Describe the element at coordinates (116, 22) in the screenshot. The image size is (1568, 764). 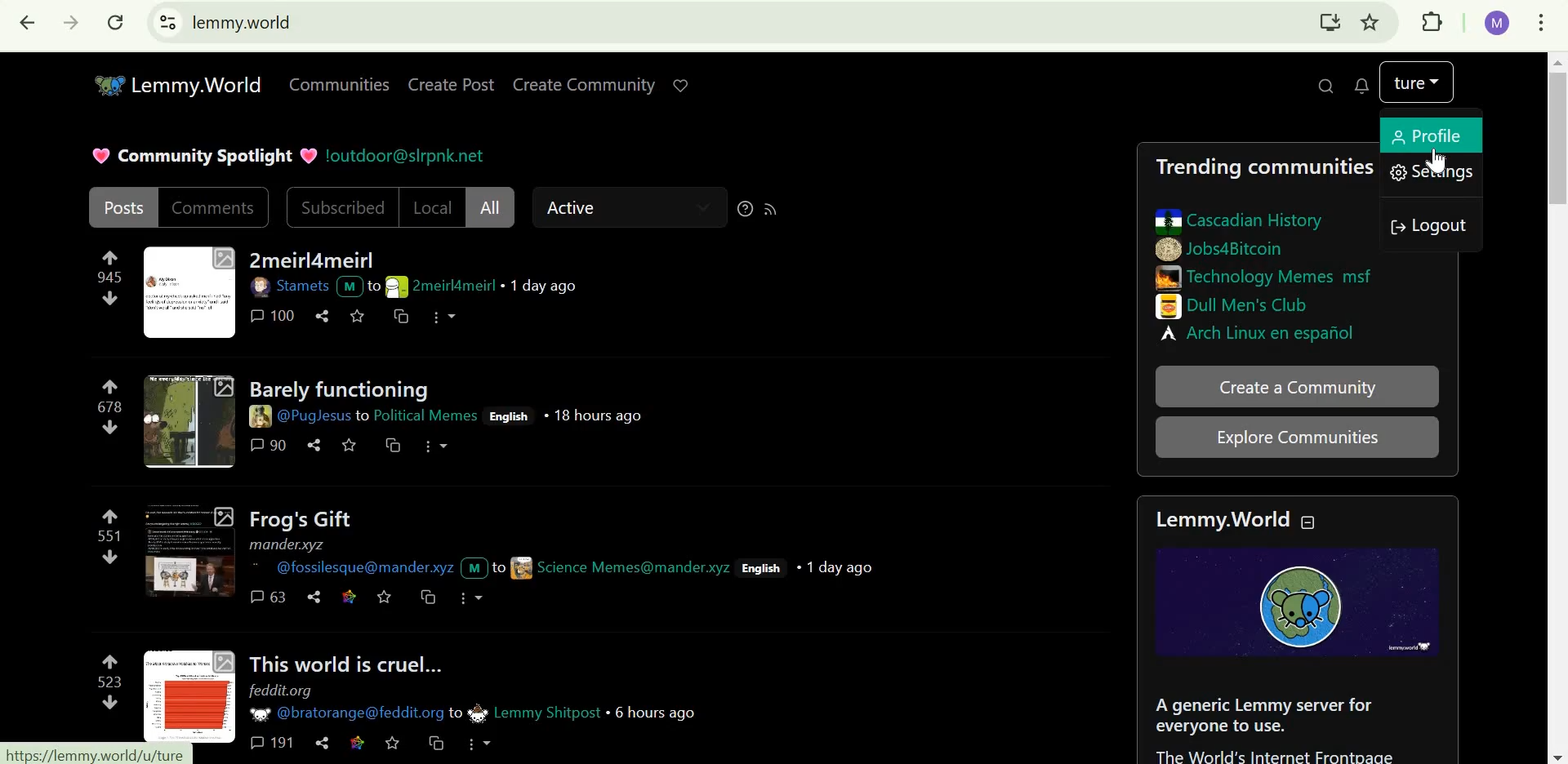
I see `reload this page` at that location.